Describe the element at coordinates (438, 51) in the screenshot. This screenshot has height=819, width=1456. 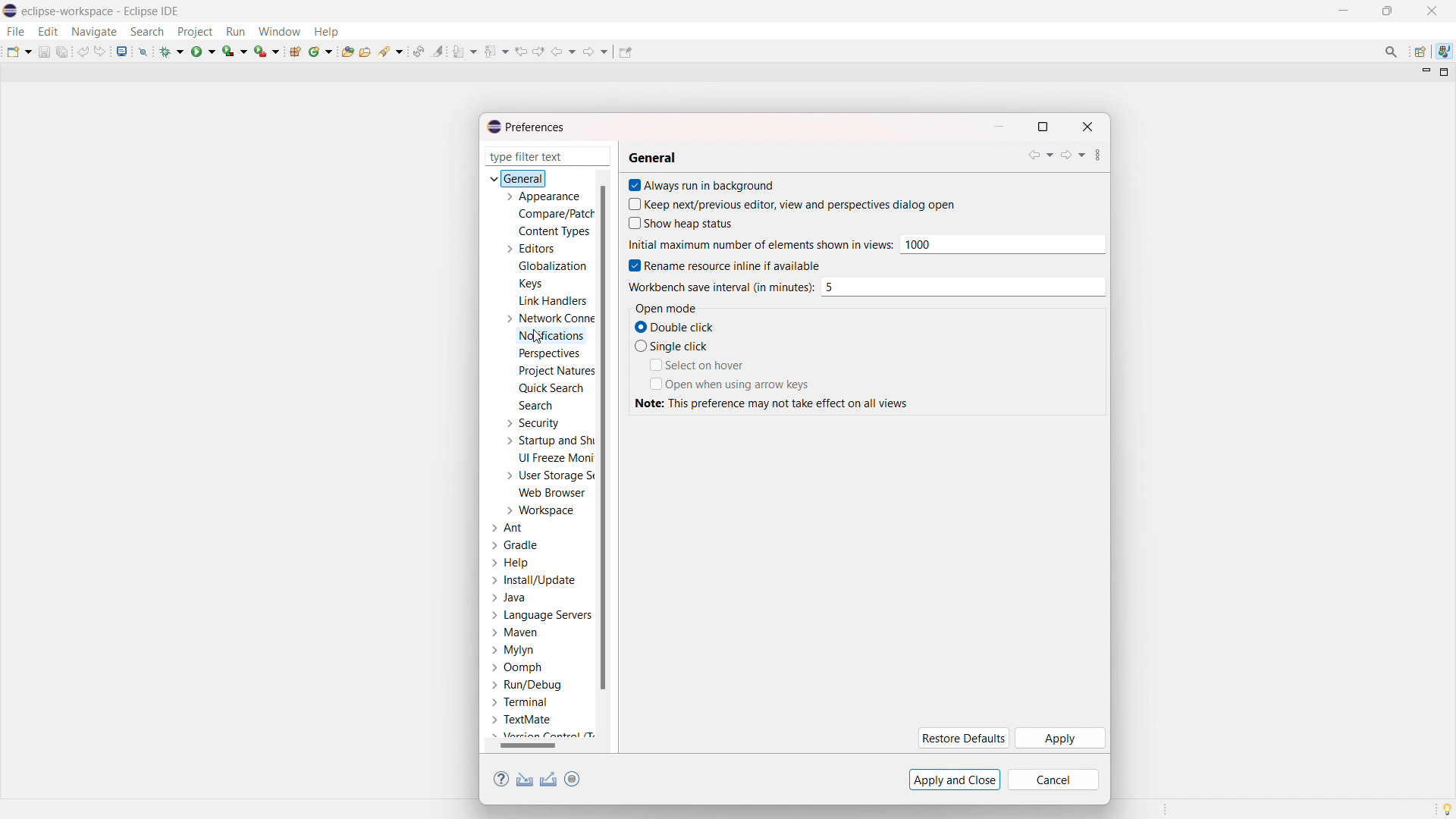
I see `toggle ant mark occurances` at that location.